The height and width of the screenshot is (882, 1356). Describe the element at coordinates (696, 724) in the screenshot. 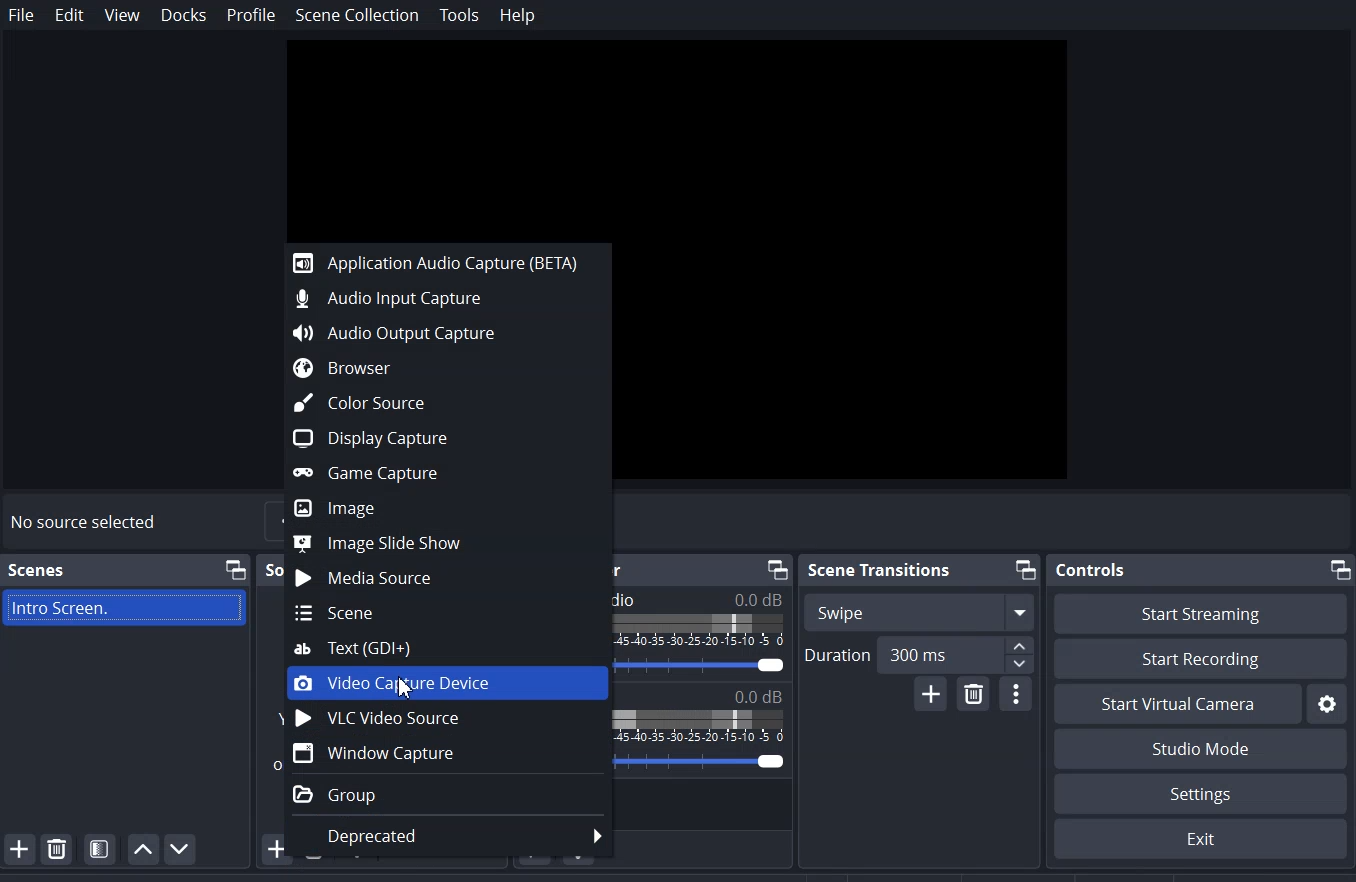

I see `Volume Indicator` at that location.